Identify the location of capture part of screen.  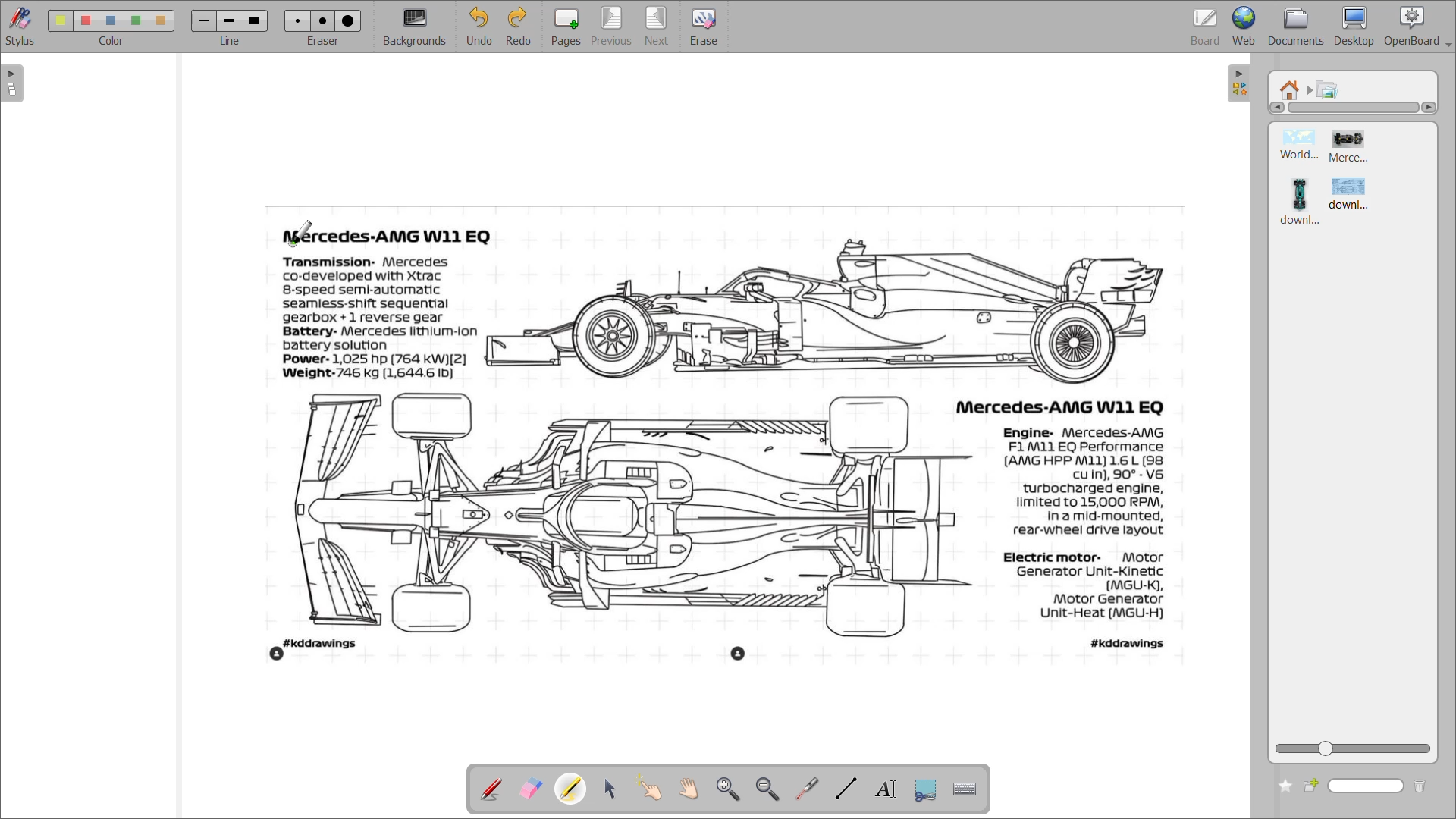
(924, 788).